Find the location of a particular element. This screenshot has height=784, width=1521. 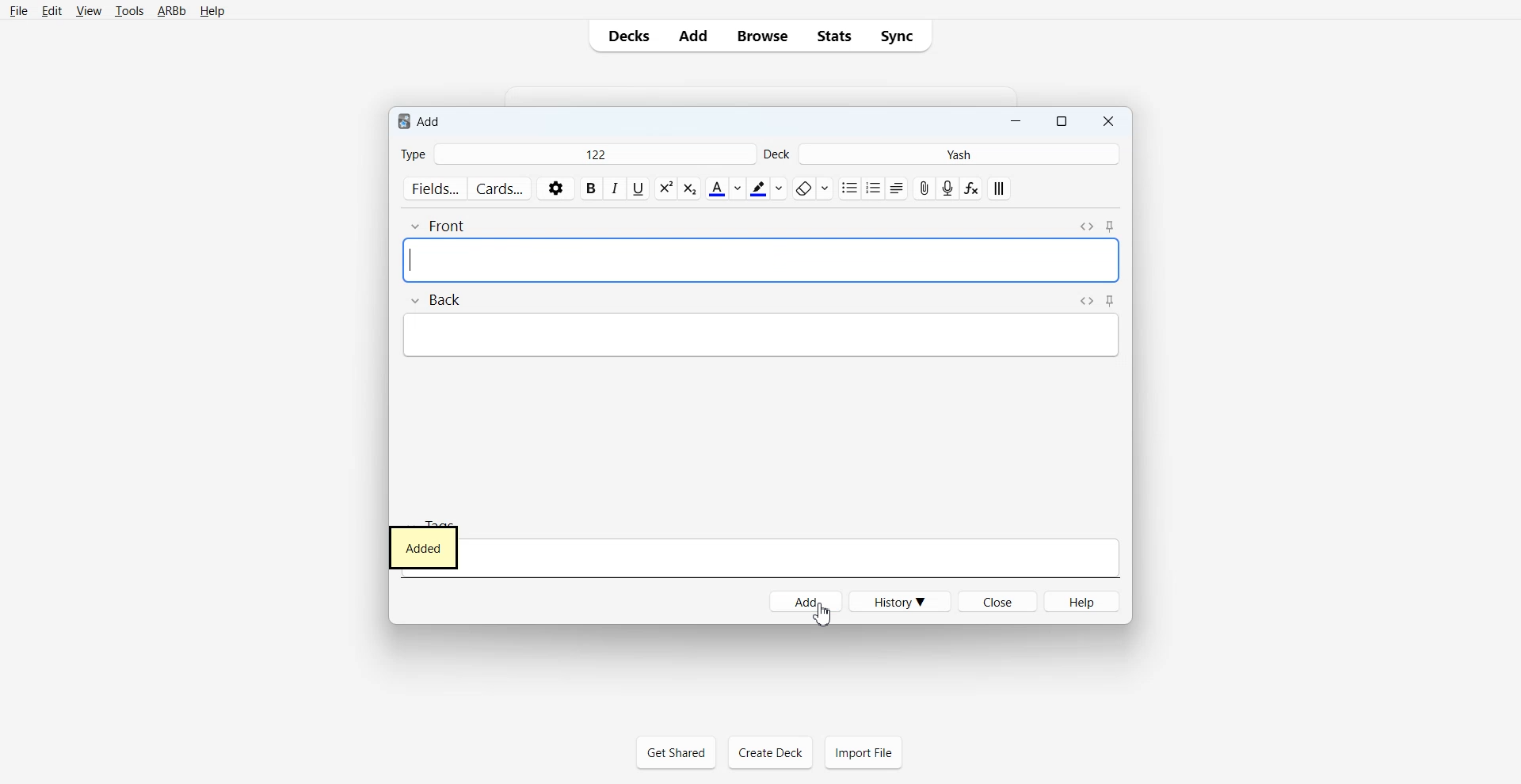

close is located at coordinates (1004, 603).